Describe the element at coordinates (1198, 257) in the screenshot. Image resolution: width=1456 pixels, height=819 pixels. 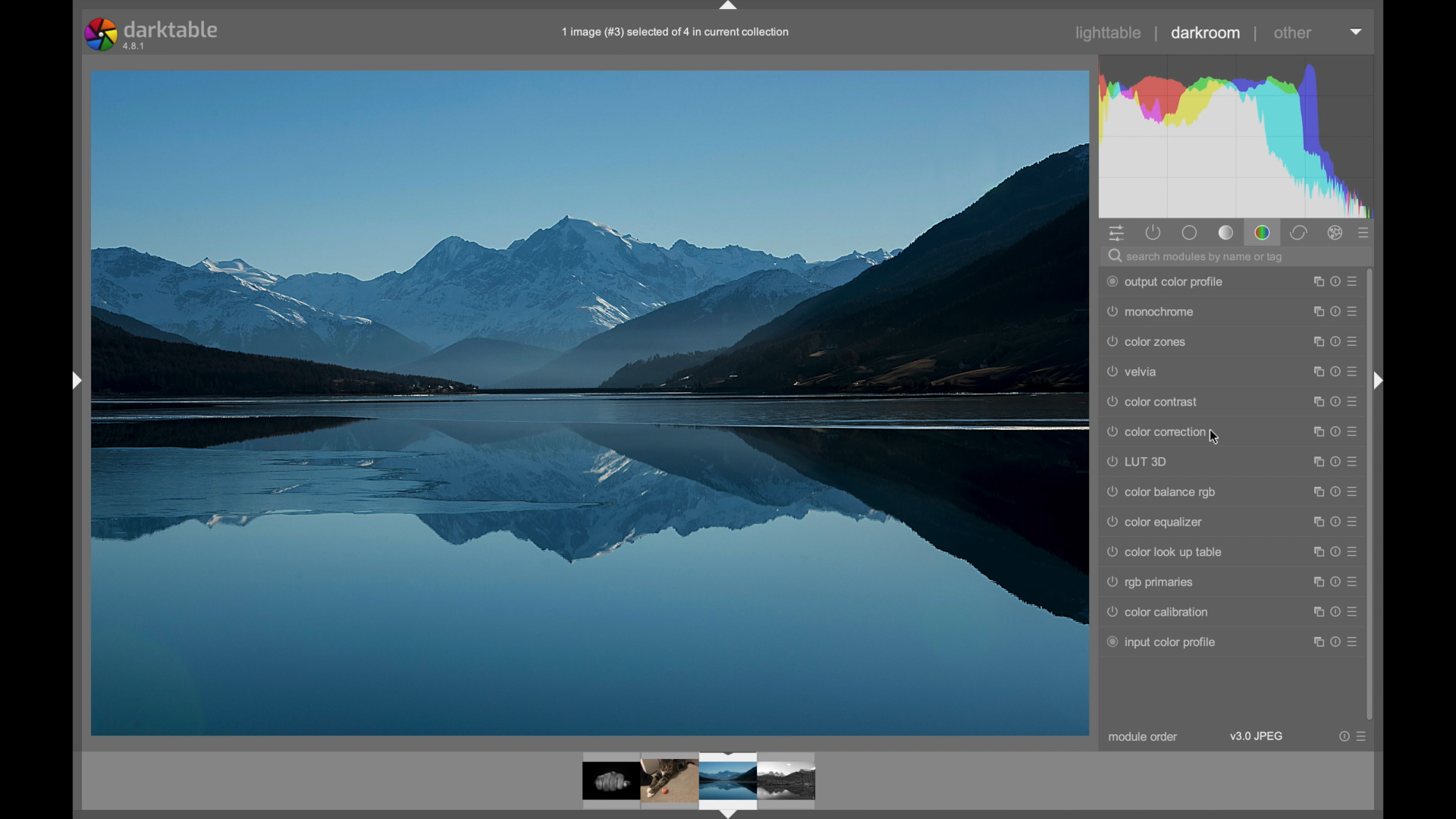
I see `search` at that location.